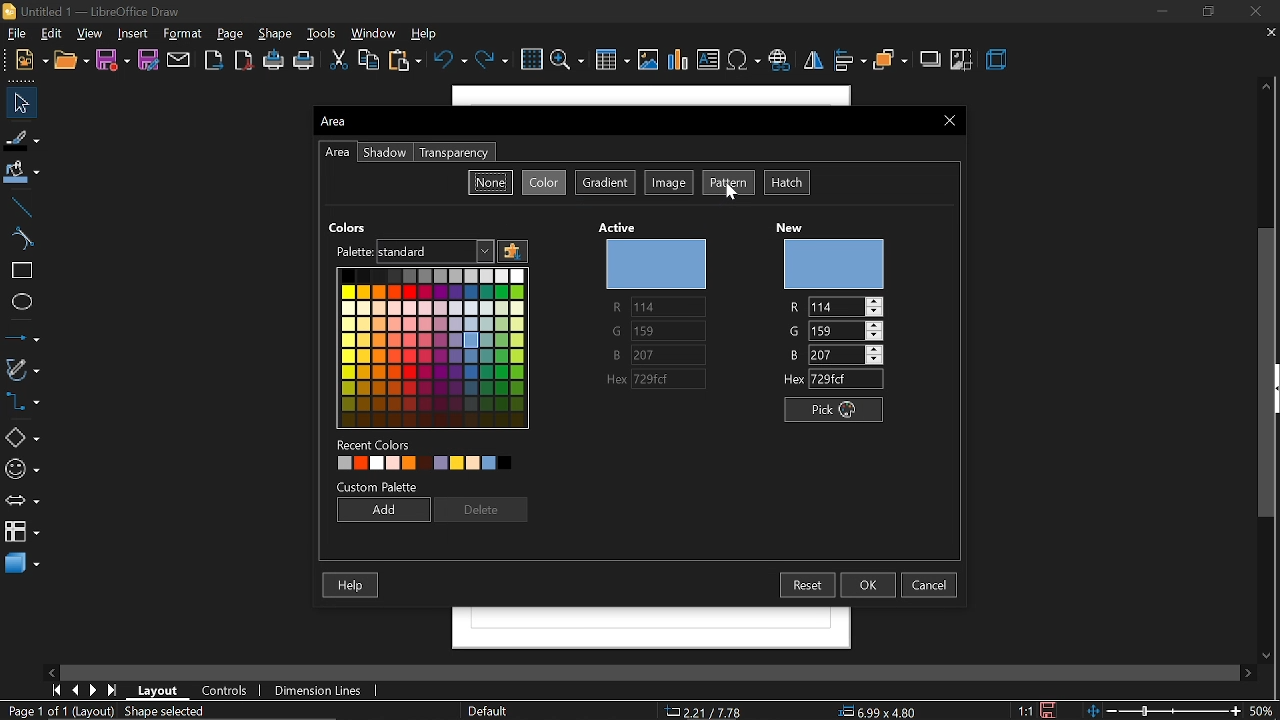  What do you see at coordinates (567, 60) in the screenshot?
I see `zoom` at bounding box center [567, 60].